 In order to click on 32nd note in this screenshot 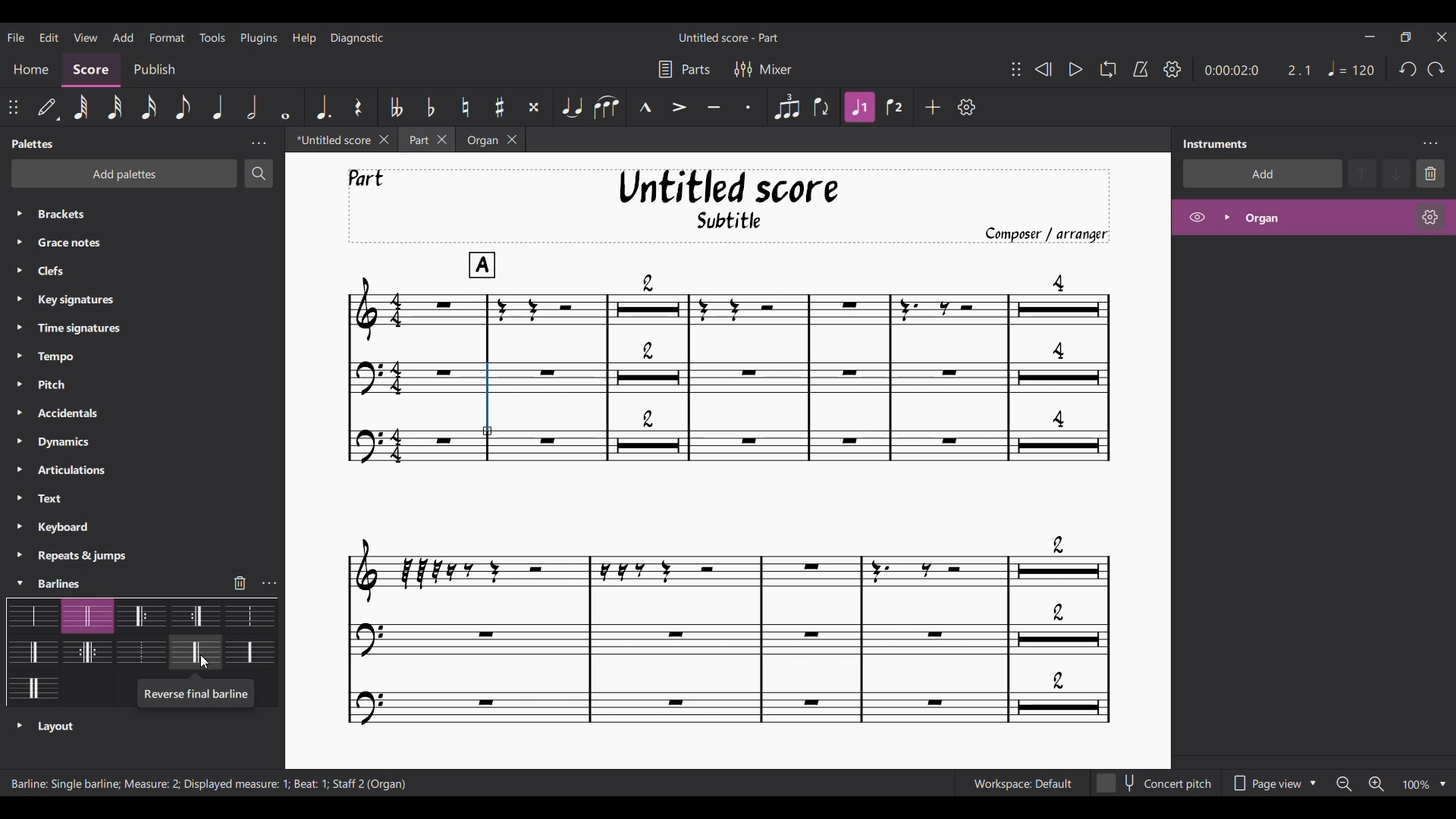, I will do `click(116, 108)`.